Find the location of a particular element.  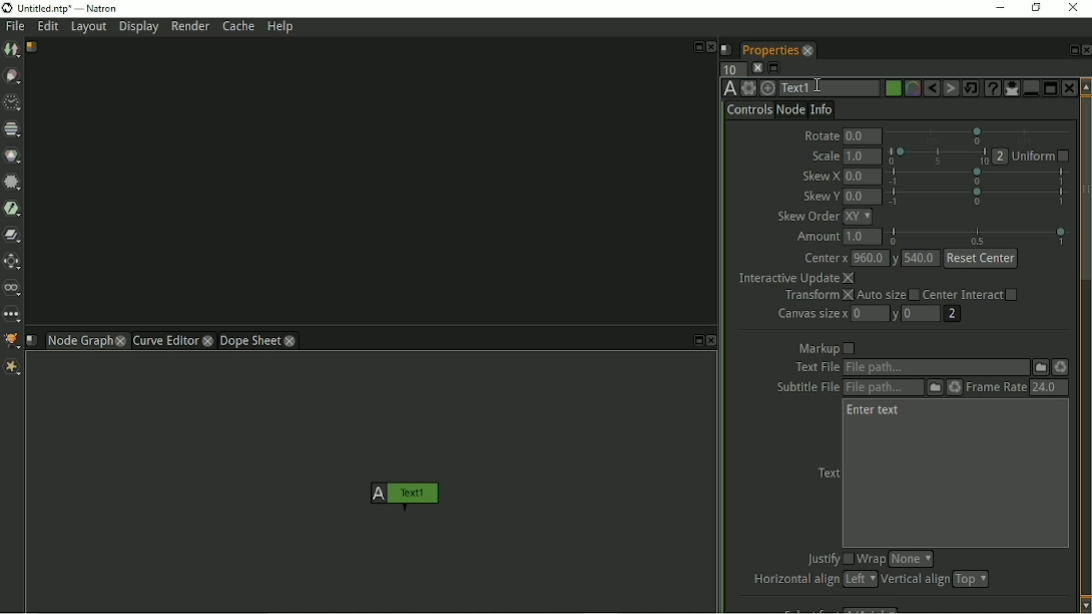

Reset Center is located at coordinates (982, 259).